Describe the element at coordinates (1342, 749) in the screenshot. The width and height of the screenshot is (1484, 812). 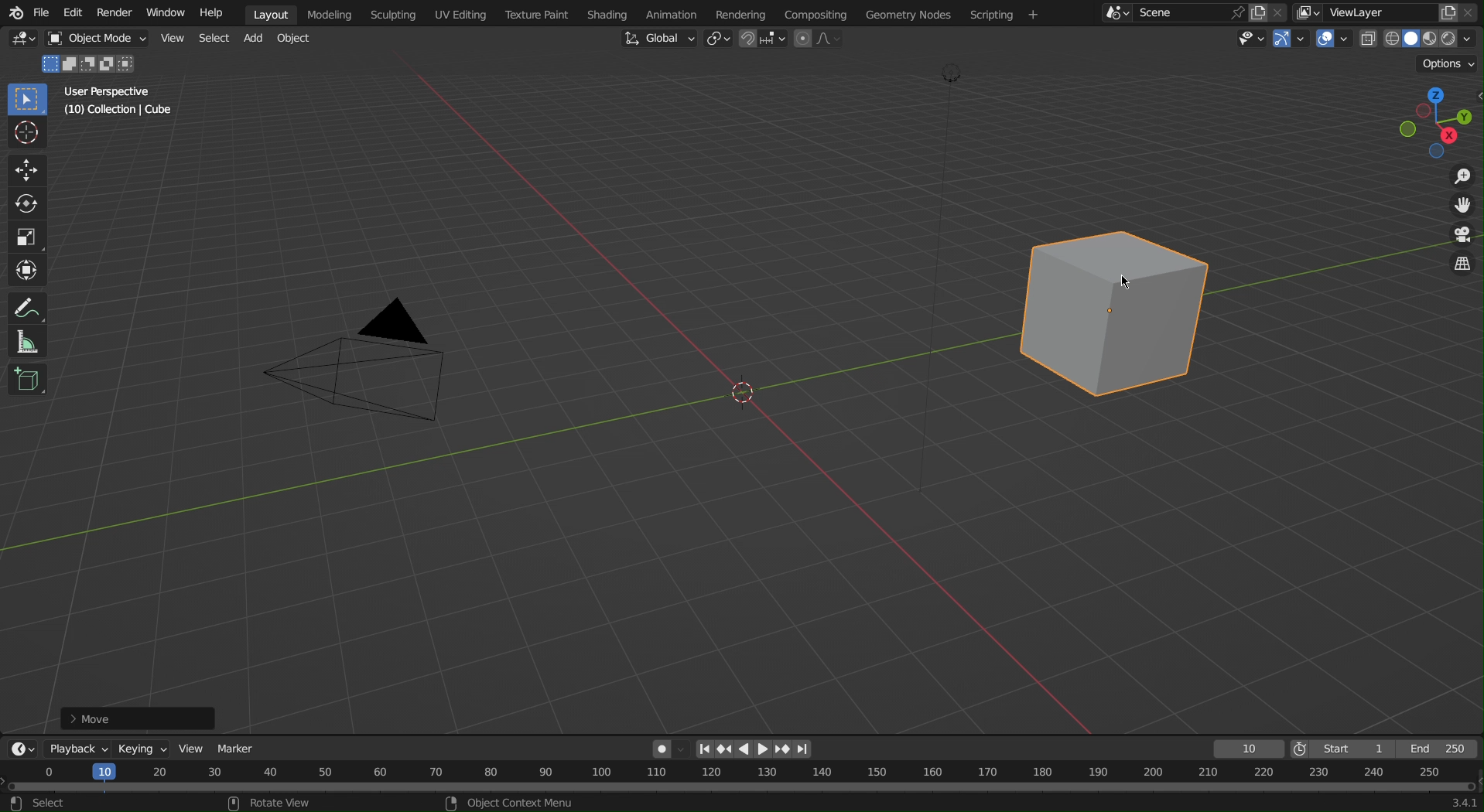
I see `Start` at that location.